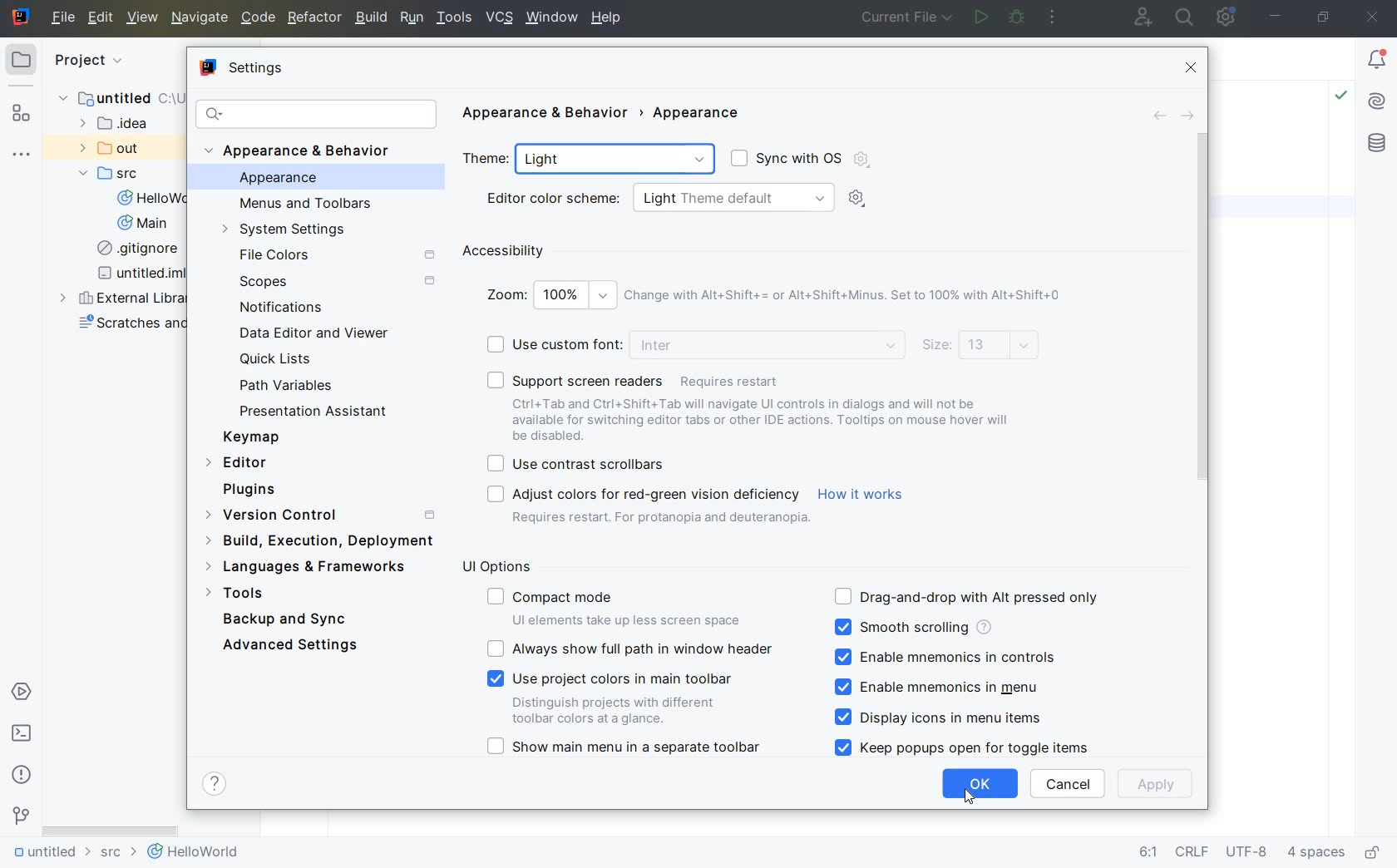 The height and width of the screenshot is (868, 1397). What do you see at coordinates (20, 816) in the screenshot?
I see `VERSION CONTROL` at bounding box center [20, 816].